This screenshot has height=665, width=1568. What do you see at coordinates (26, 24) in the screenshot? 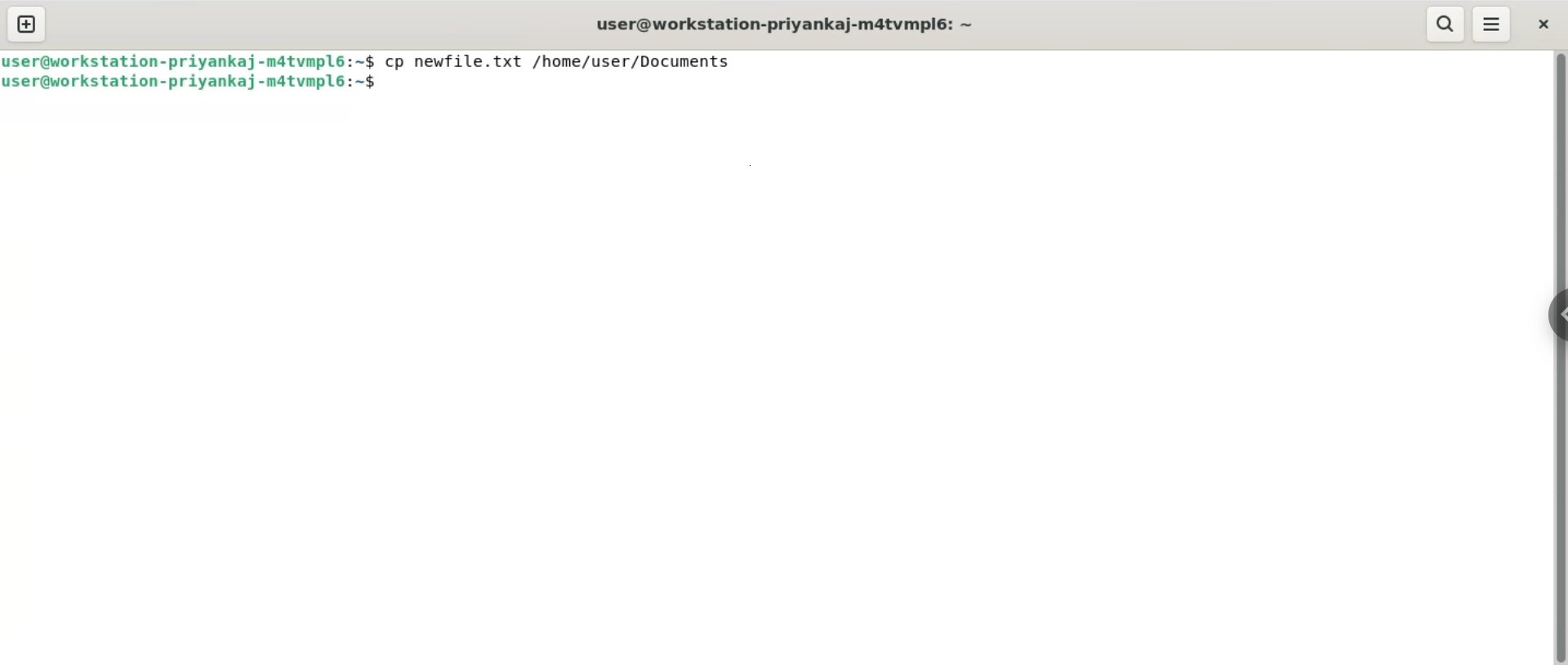
I see `new tab` at bounding box center [26, 24].